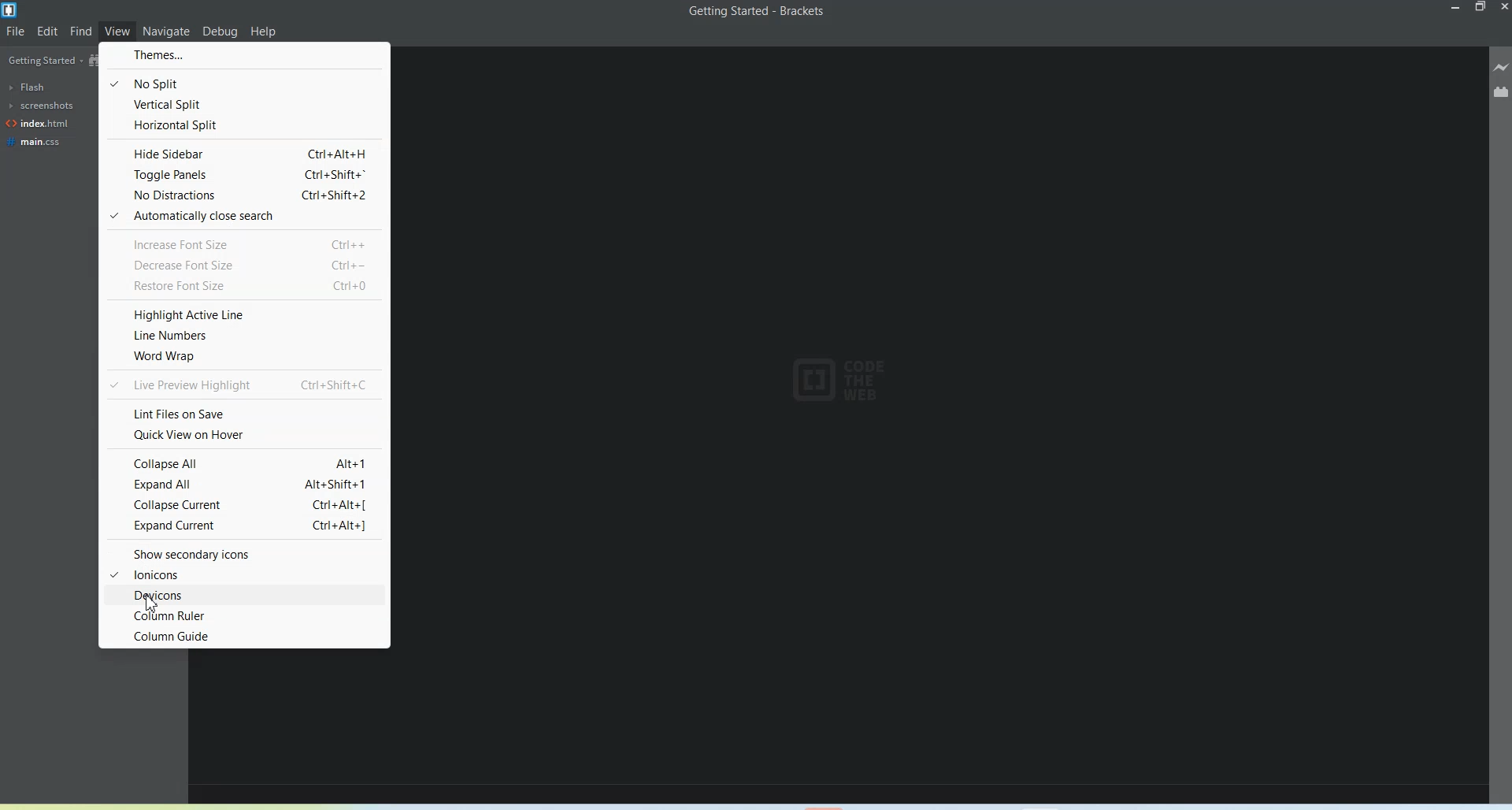  What do you see at coordinates (243, 615) in the screenshot?
I see `Column Ruler` at bounding box center [243, 615].